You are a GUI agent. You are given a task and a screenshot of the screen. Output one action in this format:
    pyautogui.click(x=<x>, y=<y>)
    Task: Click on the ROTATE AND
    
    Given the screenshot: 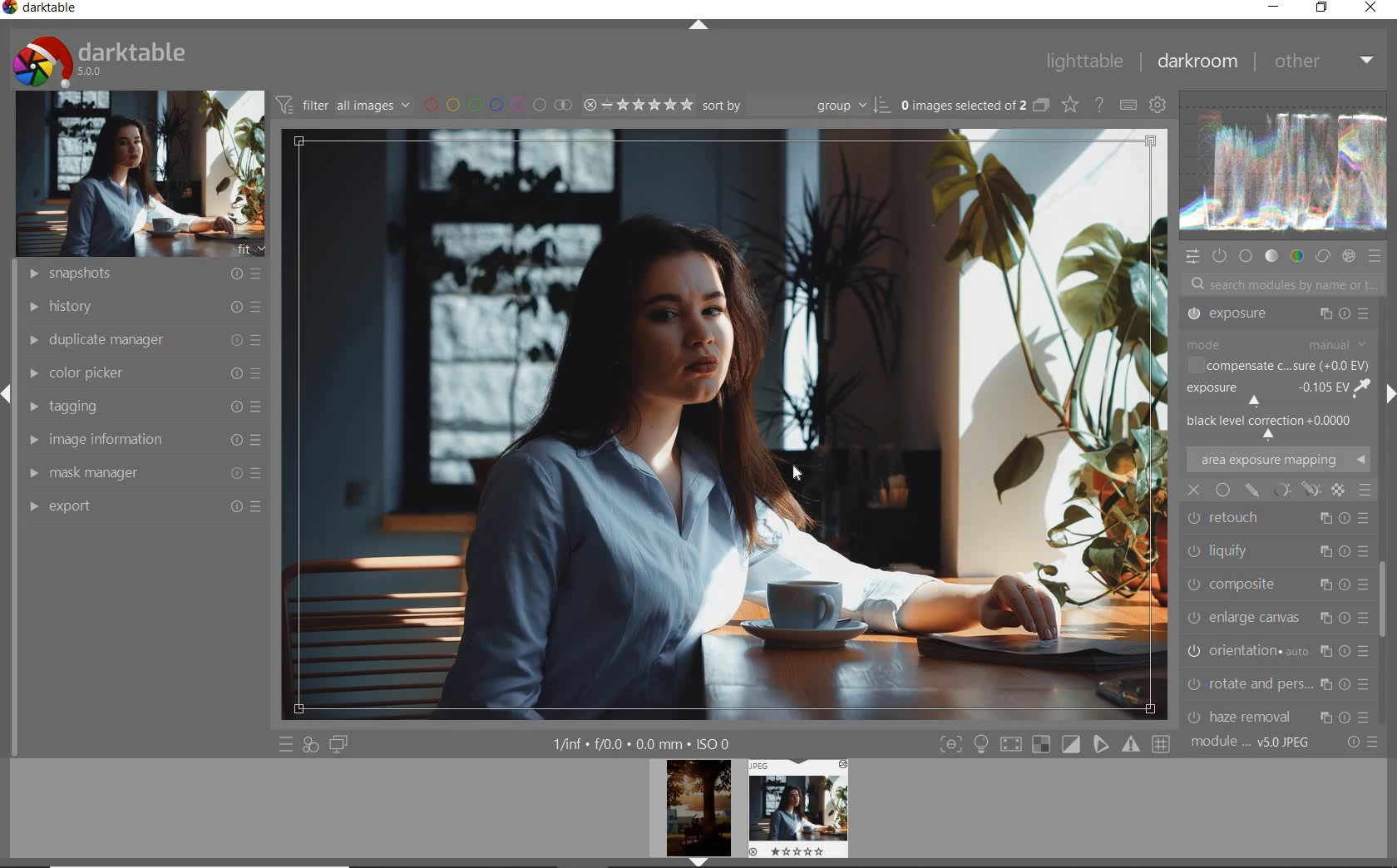 What is the action you would take?
    pyautogui.click(x=1275, y=582)
    